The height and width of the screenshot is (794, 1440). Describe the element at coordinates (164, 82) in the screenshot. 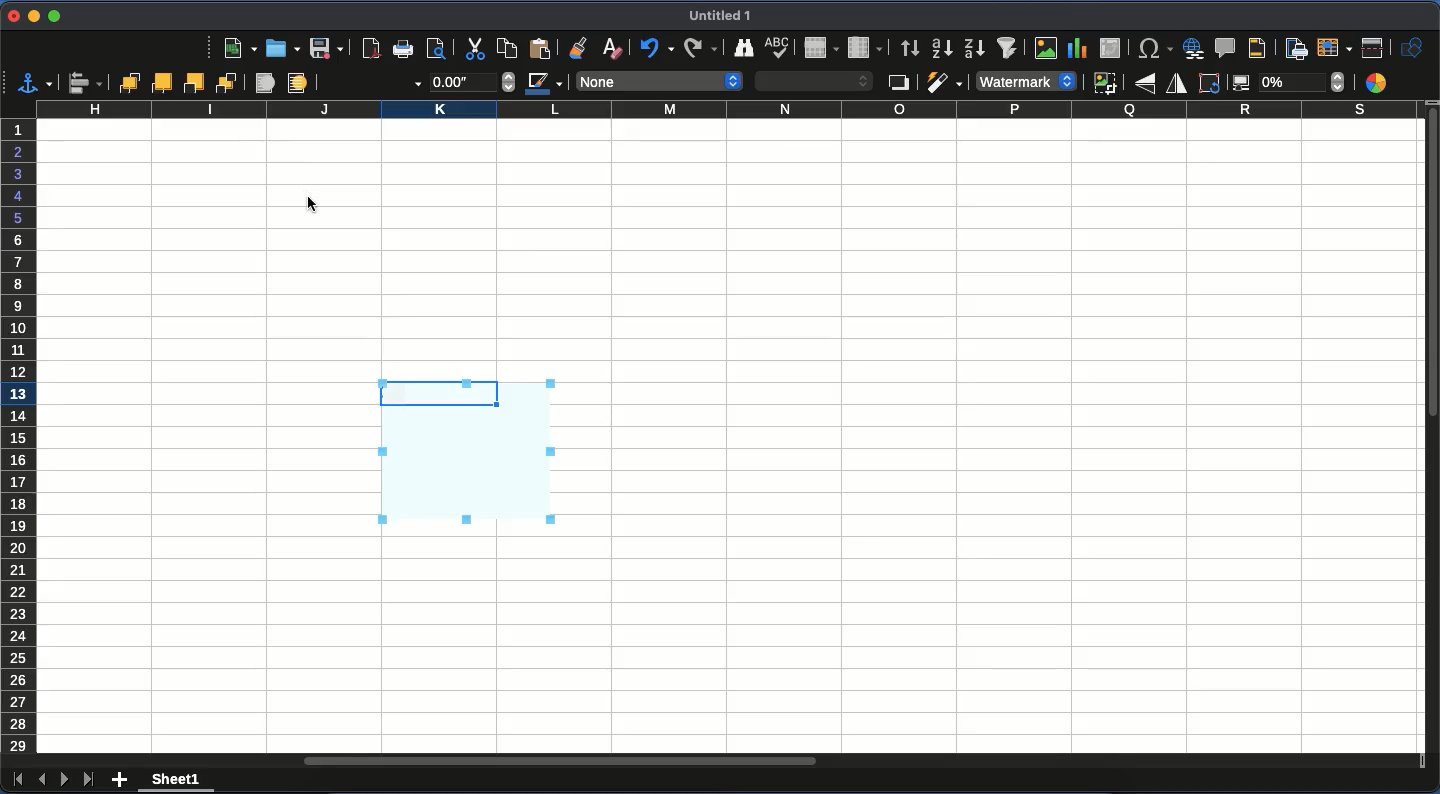

I see `forward one` at that location.